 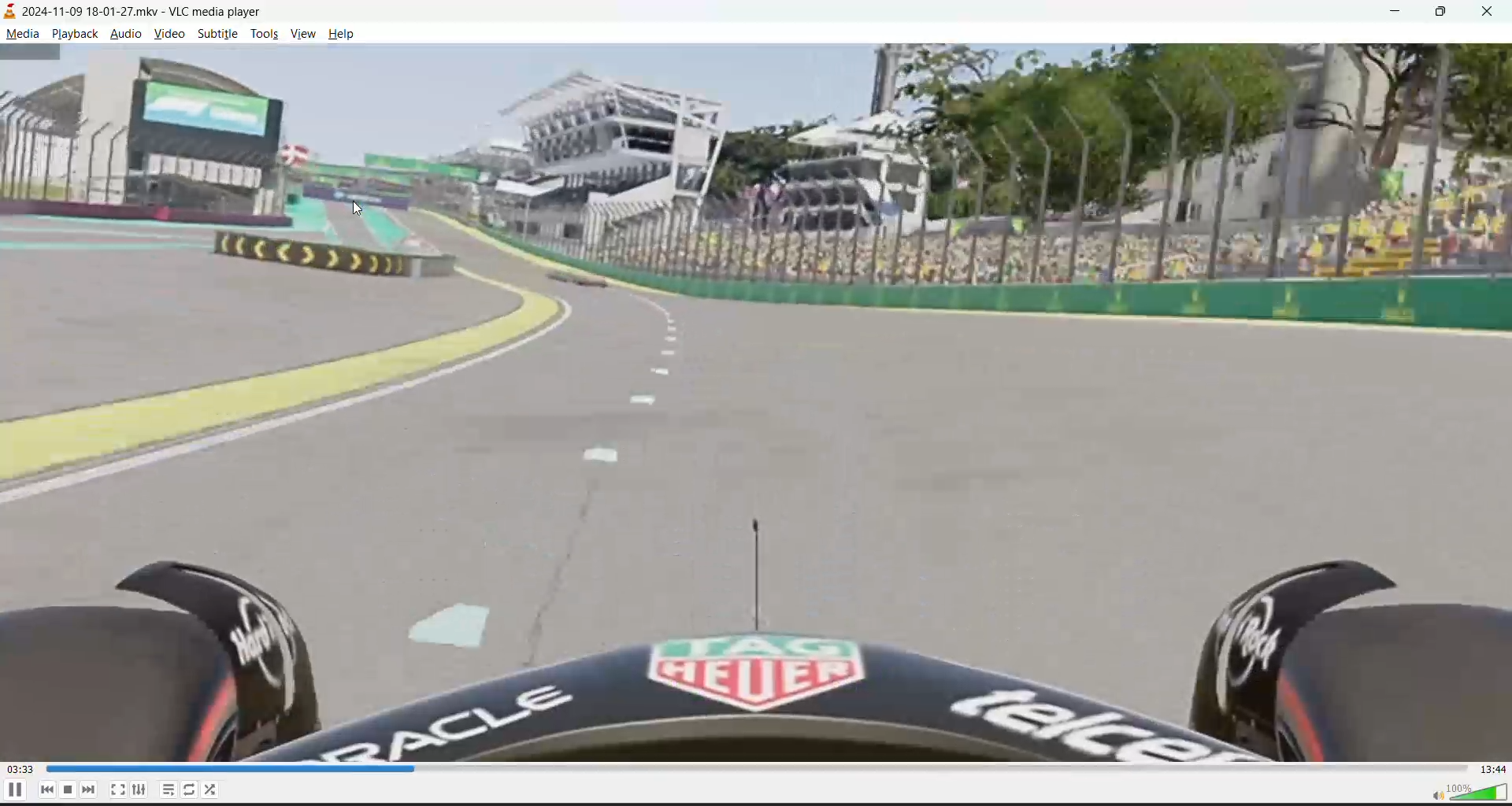 What do you see at coordinates (343, 35) in the screenshot?
I see `help` at bounding box center [343, 35].